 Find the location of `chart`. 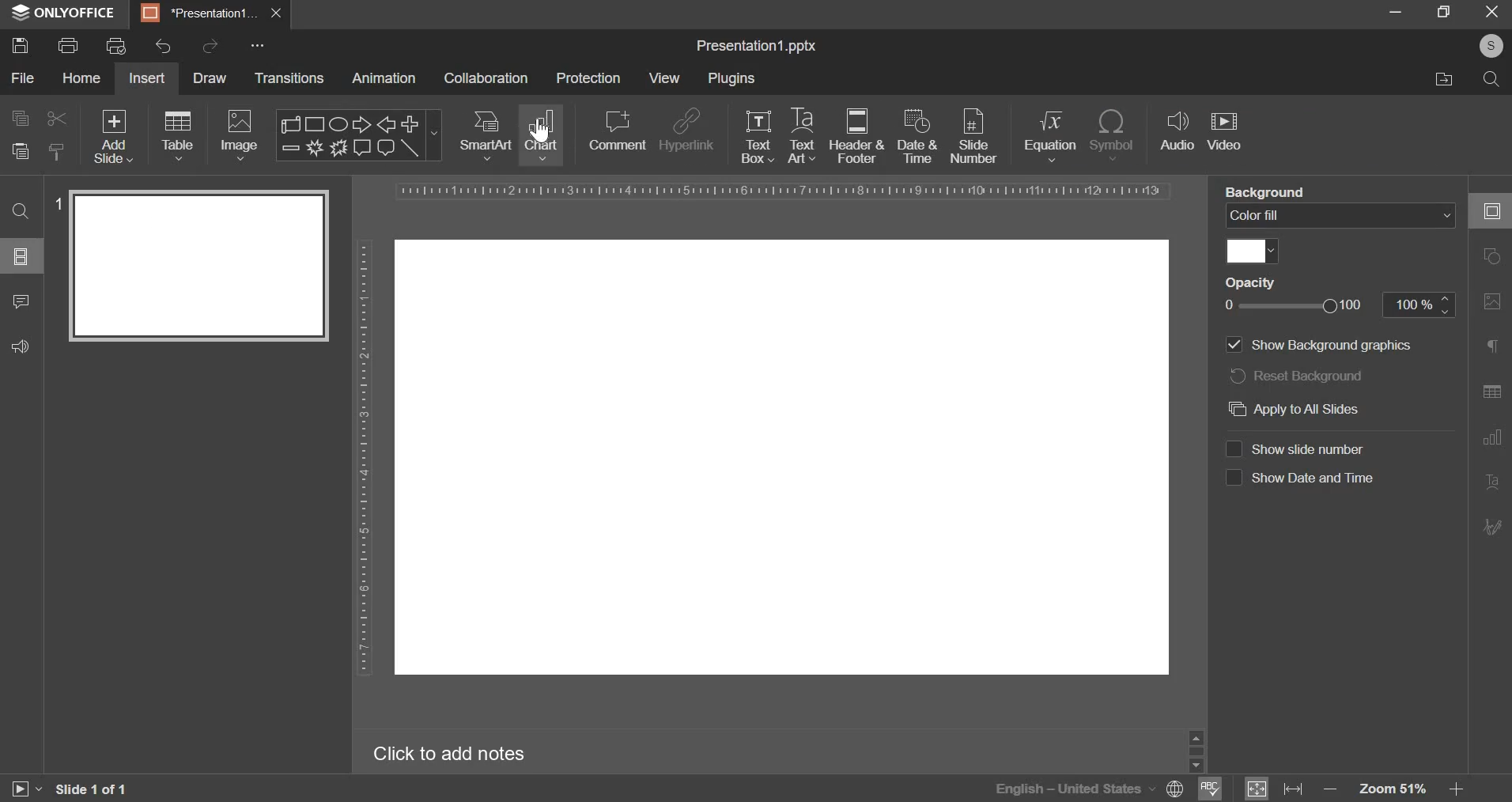

chart is located at coordinates (543, 135).